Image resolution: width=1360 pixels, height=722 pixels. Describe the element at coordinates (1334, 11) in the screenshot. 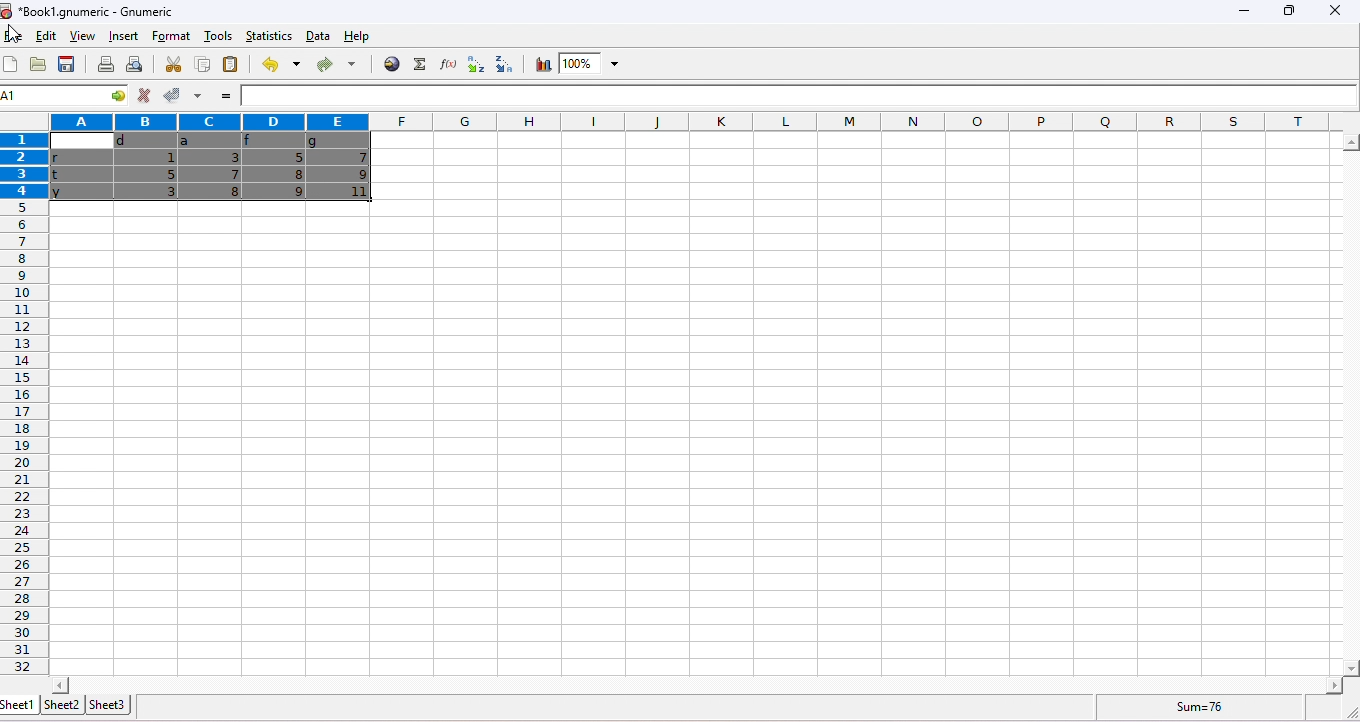

I see `close` at that location.